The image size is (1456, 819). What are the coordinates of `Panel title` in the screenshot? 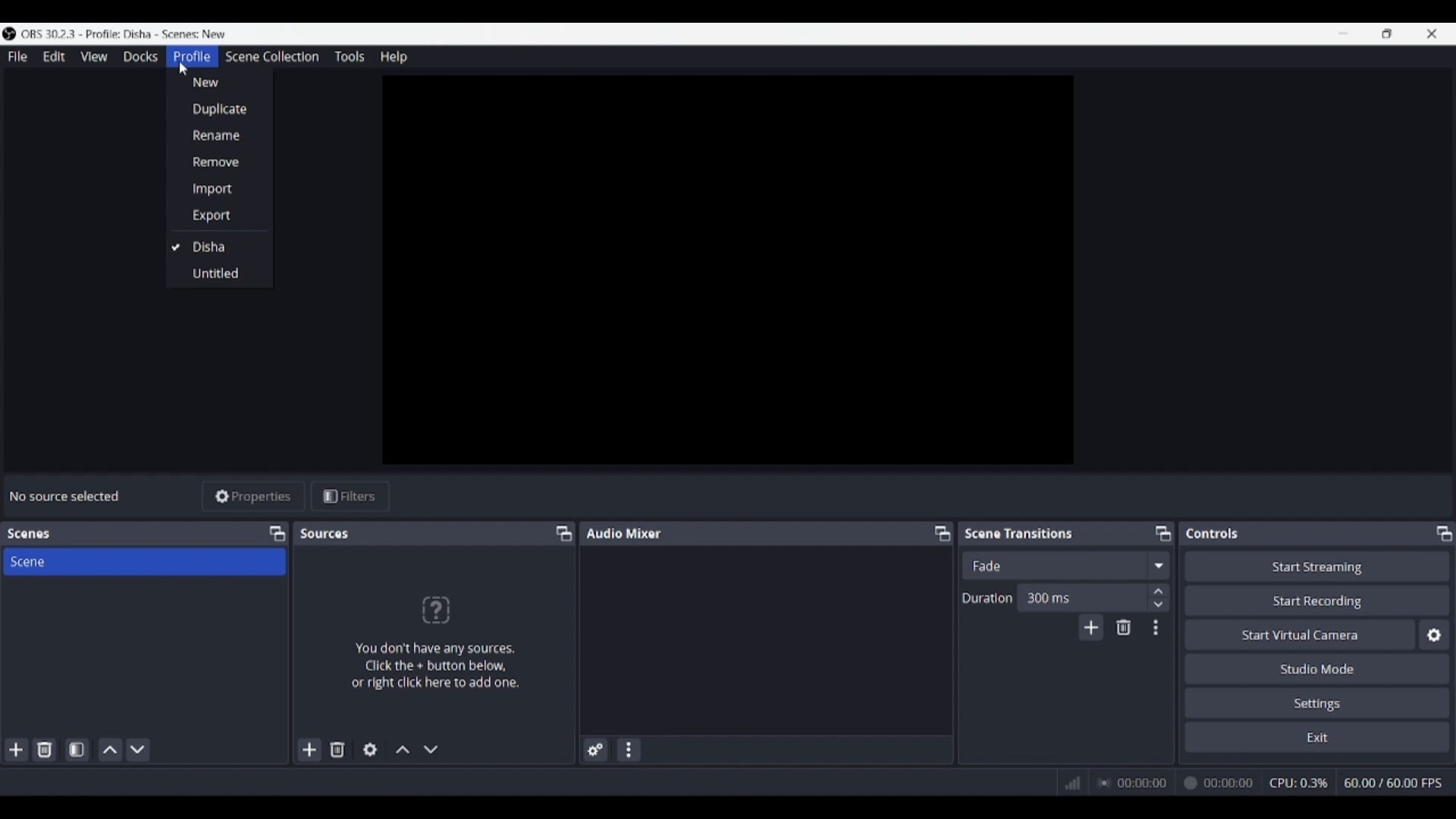 It's located at (29, 534).